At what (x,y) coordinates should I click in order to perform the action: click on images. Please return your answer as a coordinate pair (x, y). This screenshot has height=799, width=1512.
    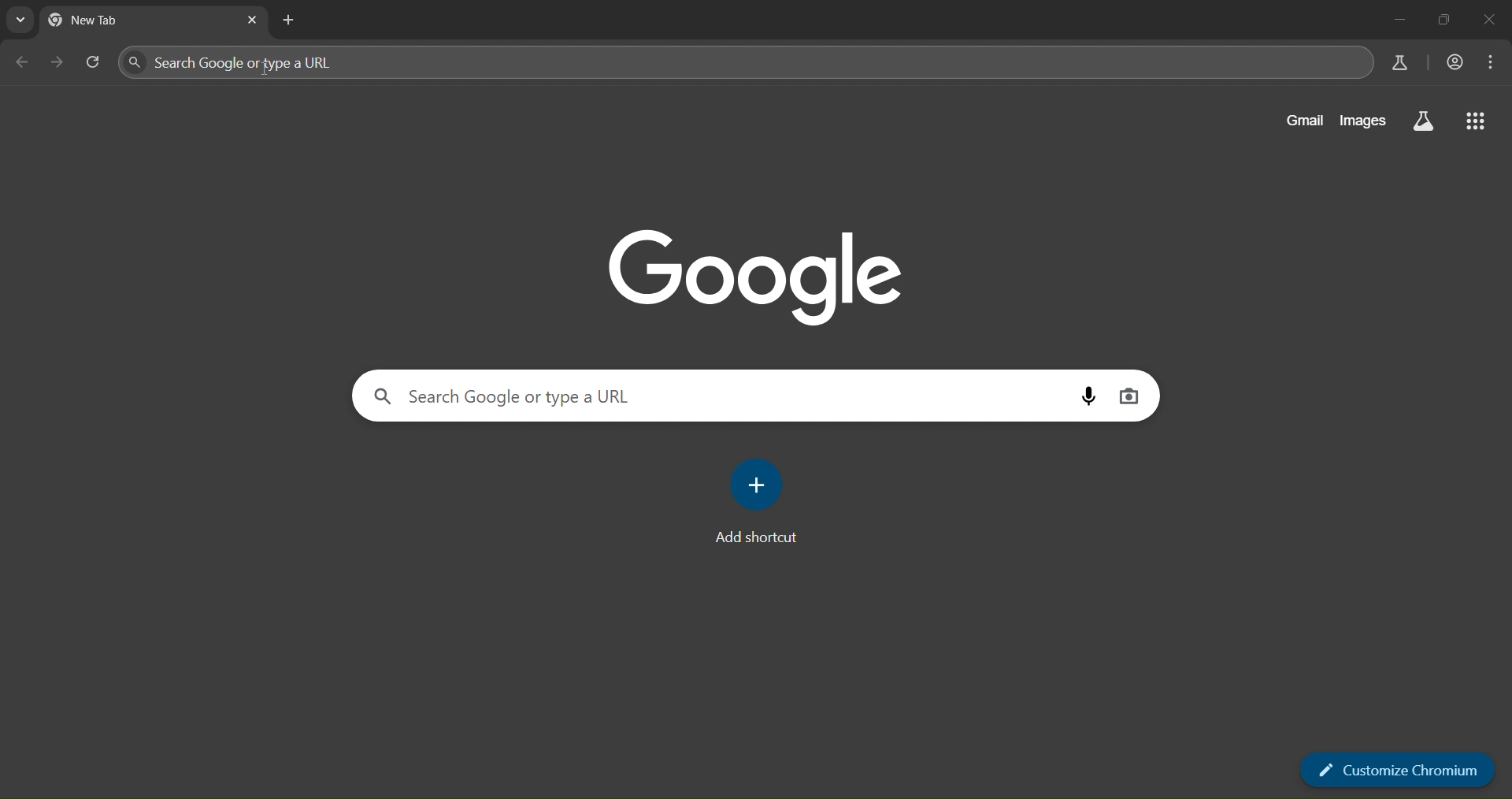
    Looking at the image, I should click on (1362, 121).